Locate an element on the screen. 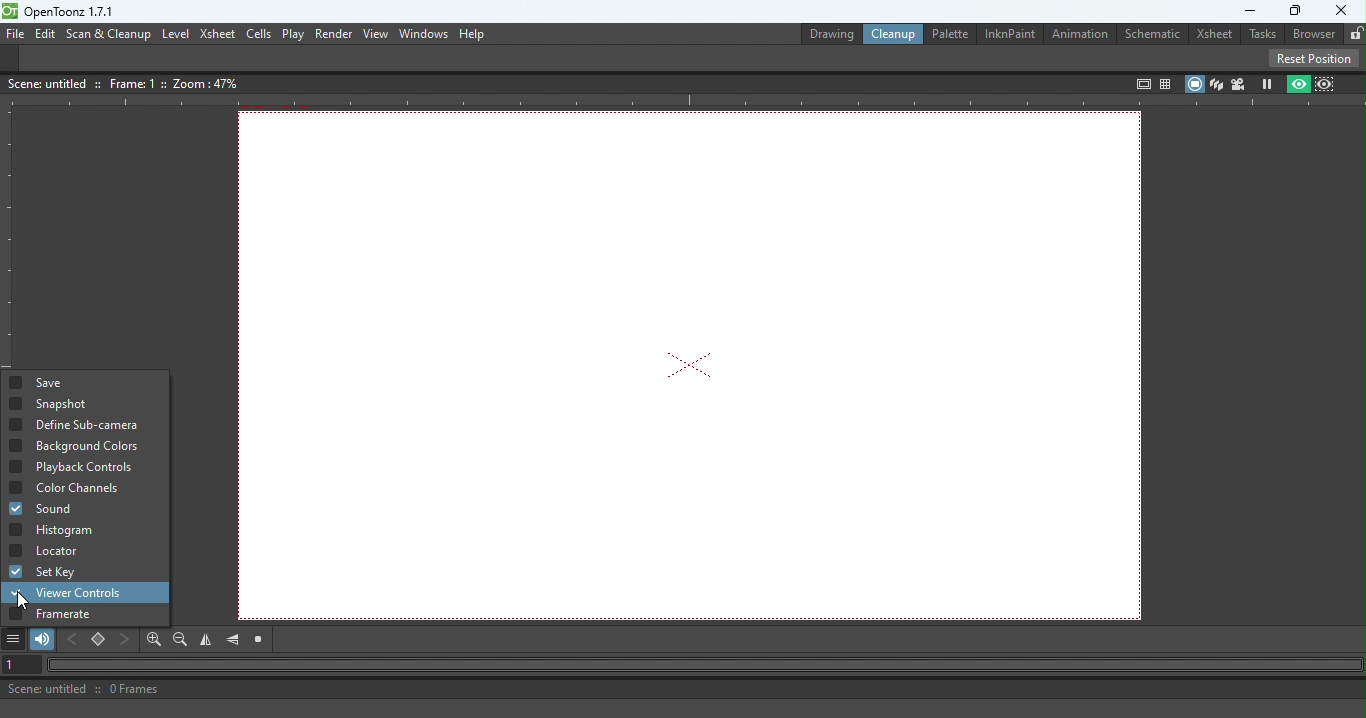  Background color is located at coordinates (102, 445).